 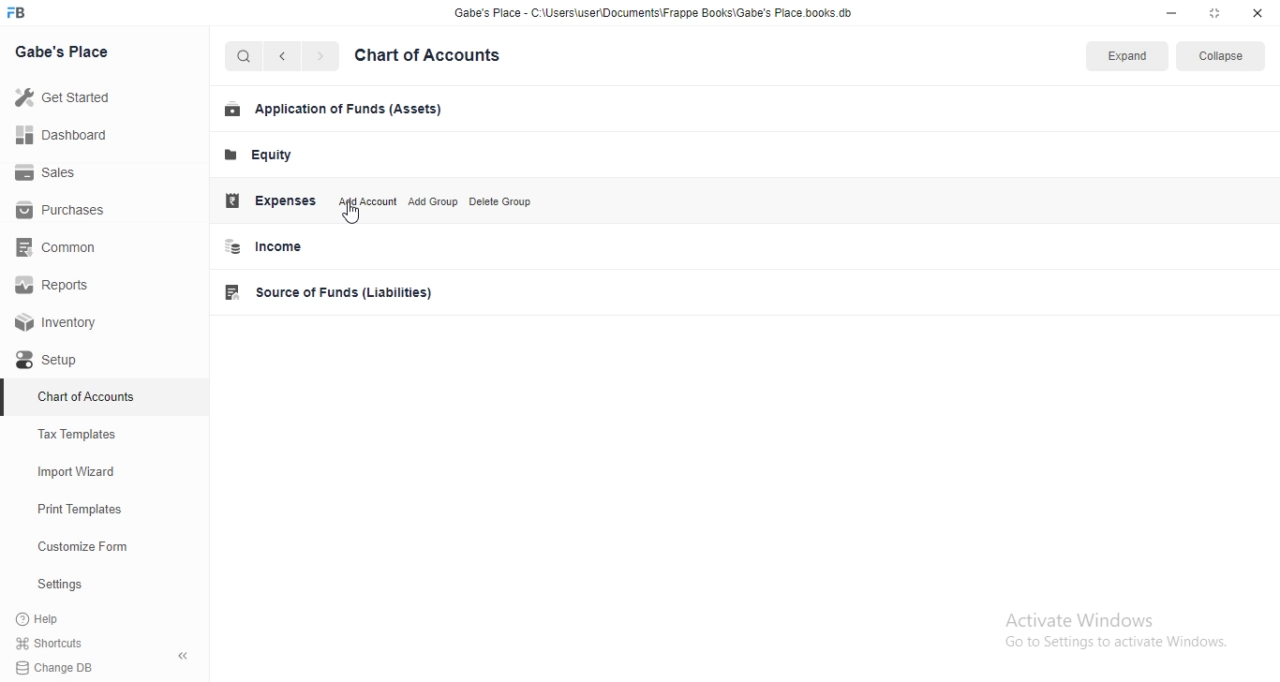 What do you see at coordinates (79, 473) in the screenshot?
I see `Import Wizard` at bounding box center [79, 473].